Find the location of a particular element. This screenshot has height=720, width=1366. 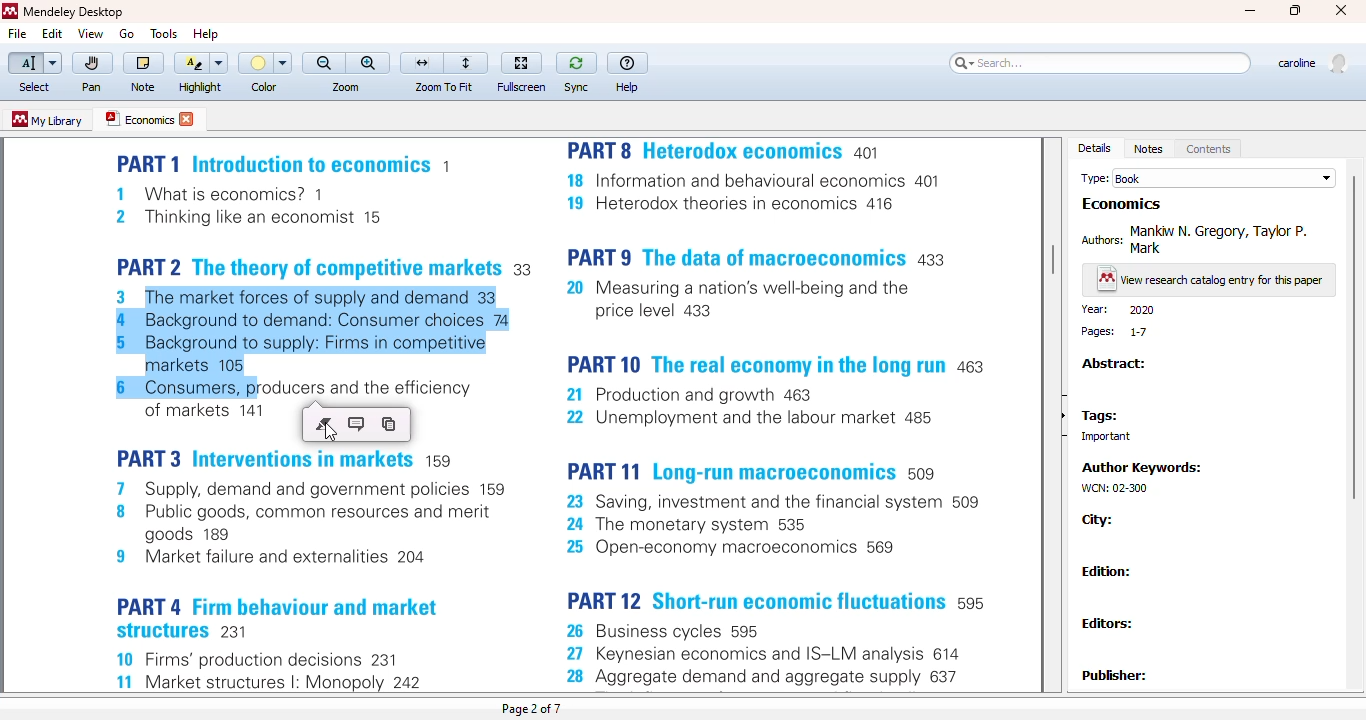

select is located at coordinates (34, 88).